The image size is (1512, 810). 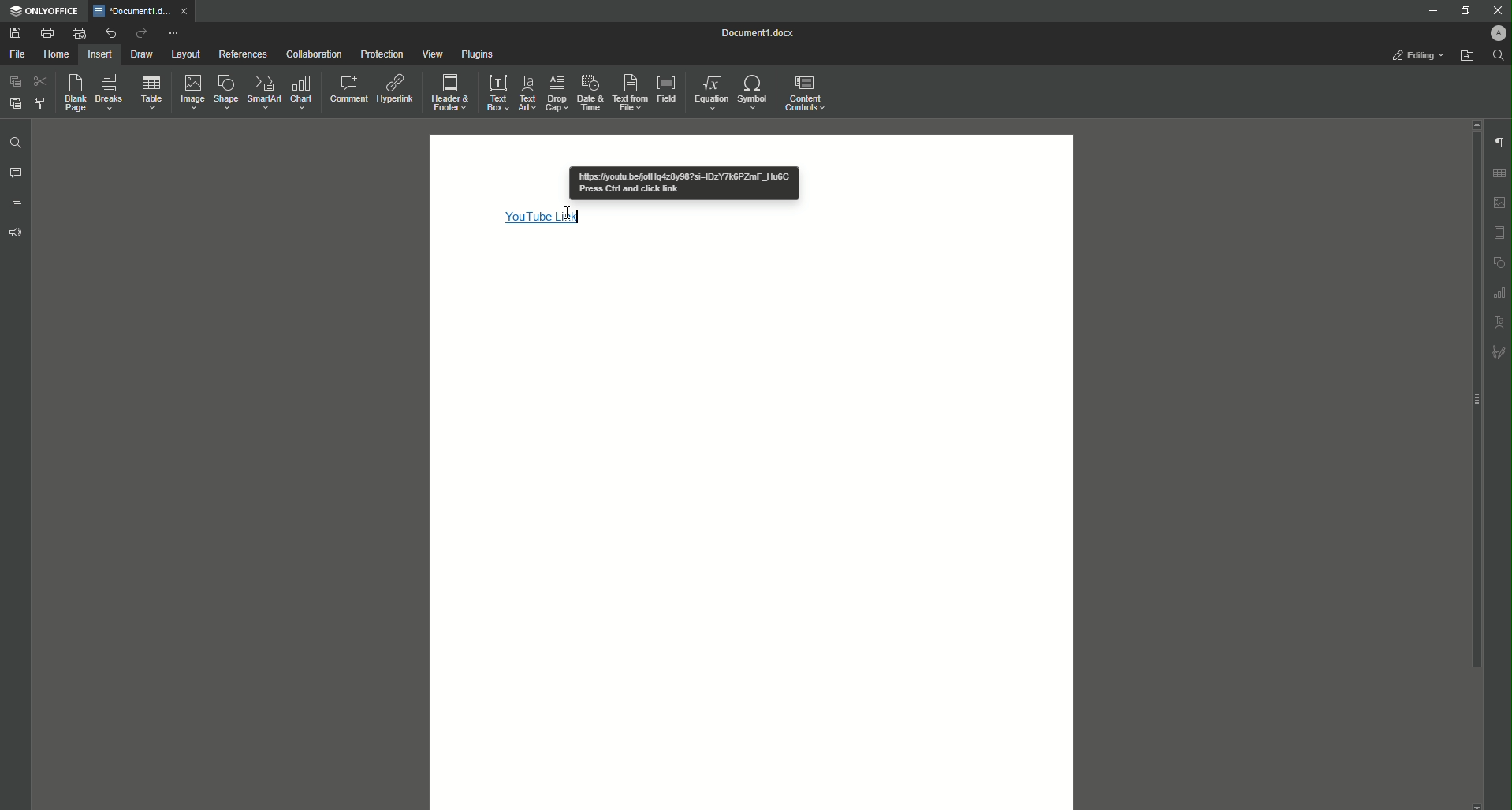 What do you see at coordinates (225, 91) in the screenshot?
I see `Shape` at bounding box center [225, 91].